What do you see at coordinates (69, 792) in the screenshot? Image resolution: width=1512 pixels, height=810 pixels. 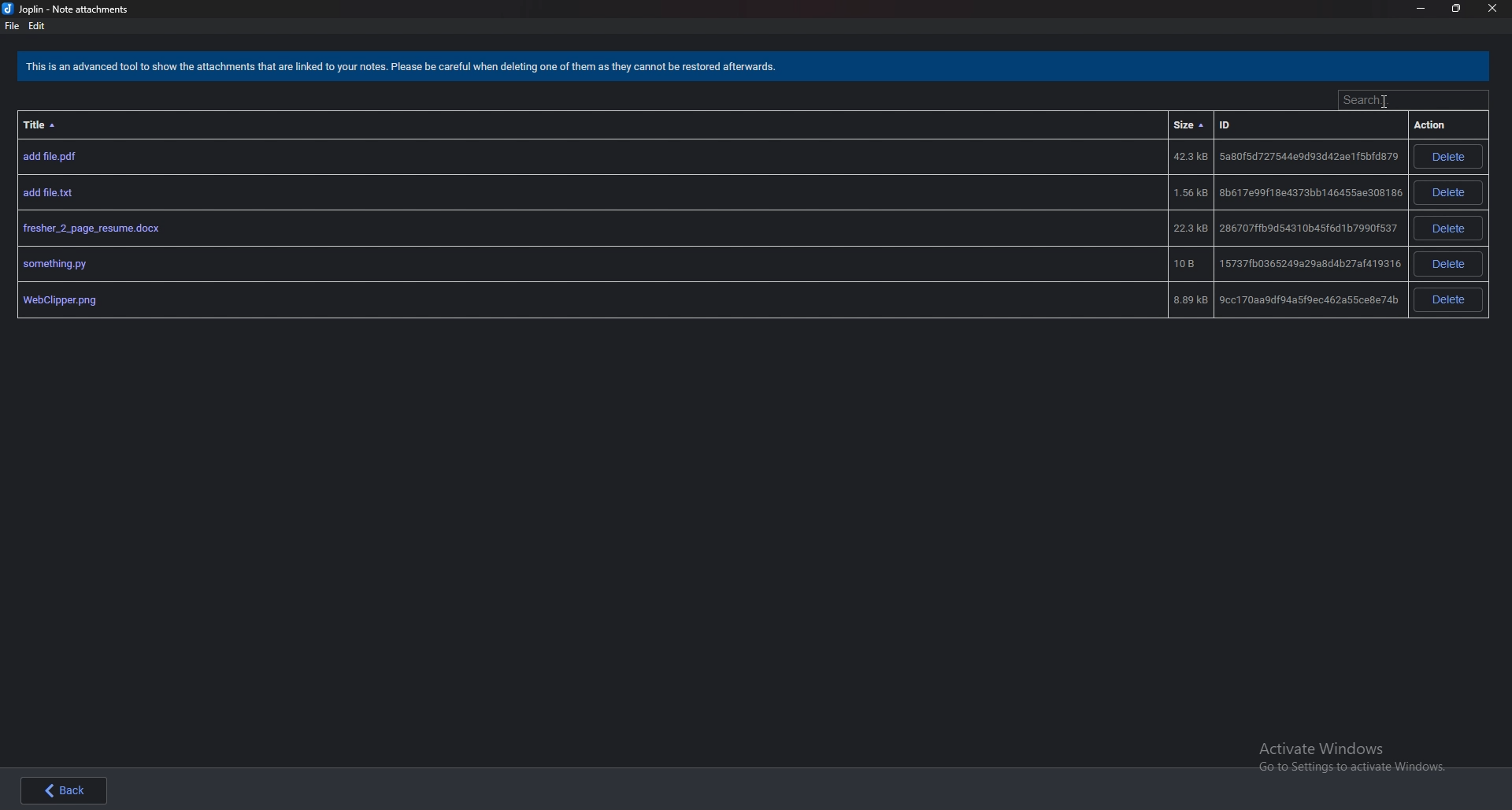 I see `< Back` at bounding box center [69, 792].